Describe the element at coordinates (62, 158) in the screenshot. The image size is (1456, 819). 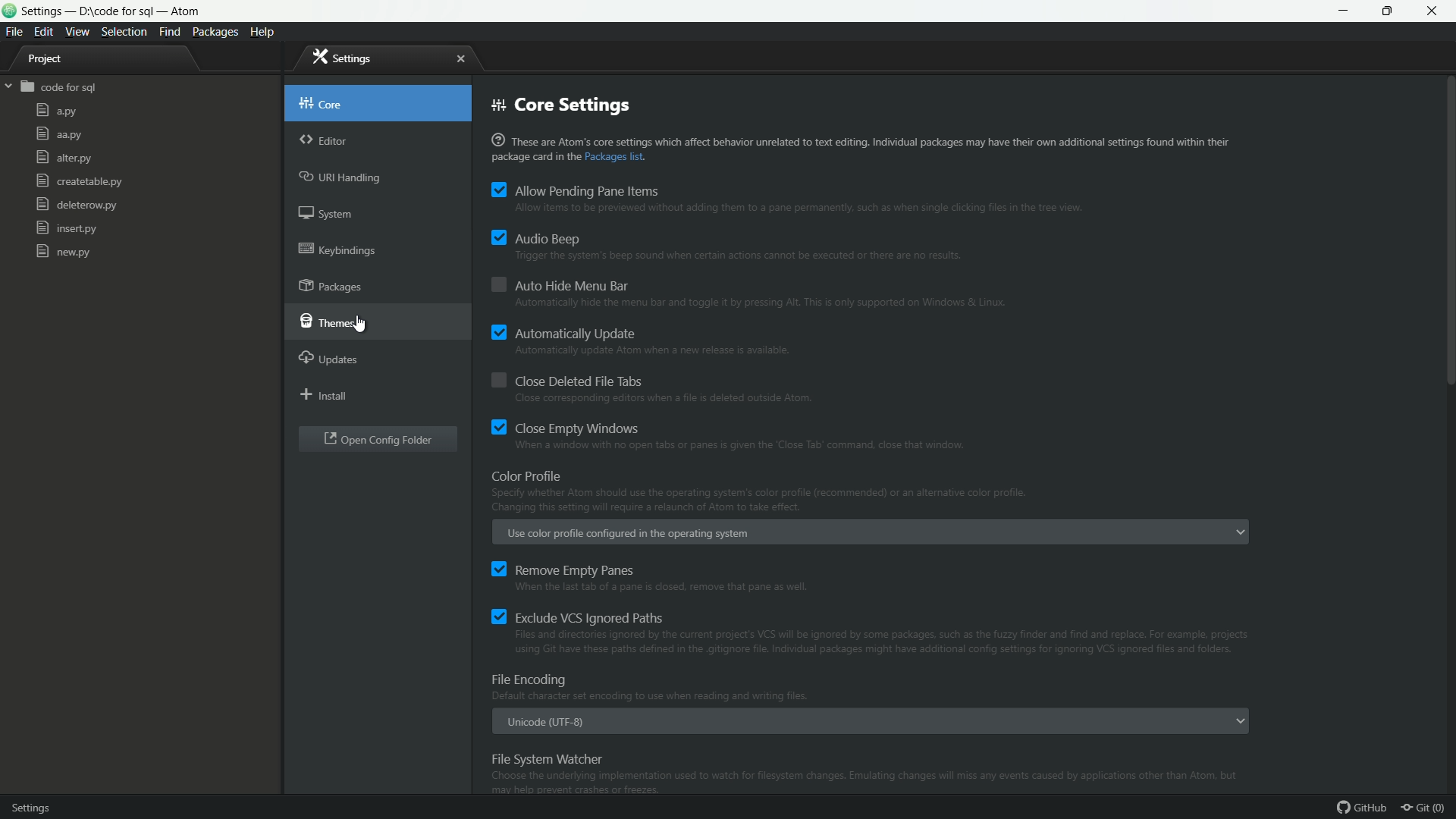
I see `alter.py file` at that location.